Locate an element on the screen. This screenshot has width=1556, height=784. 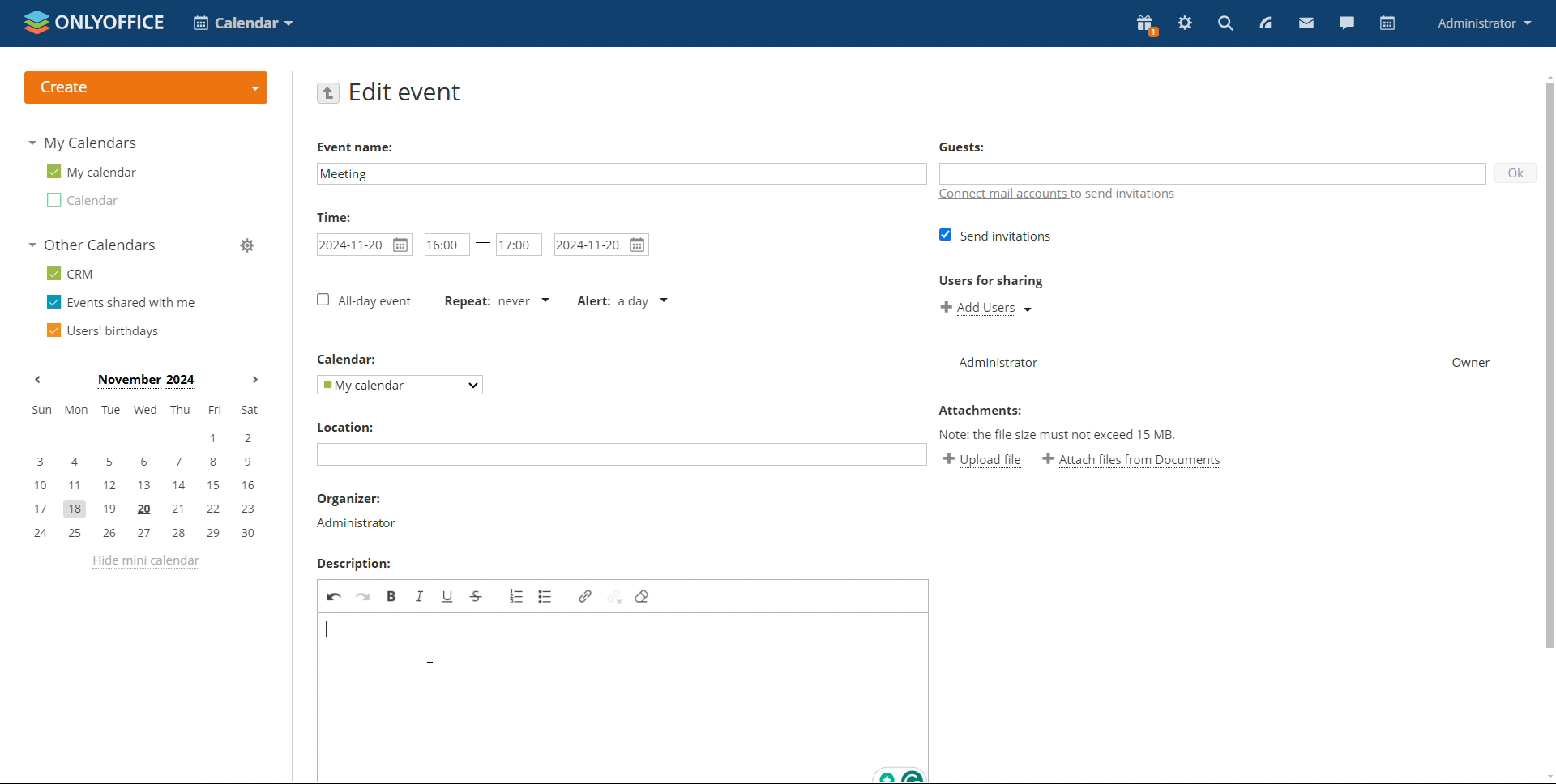
ok is located at coordinates (1515, 173).